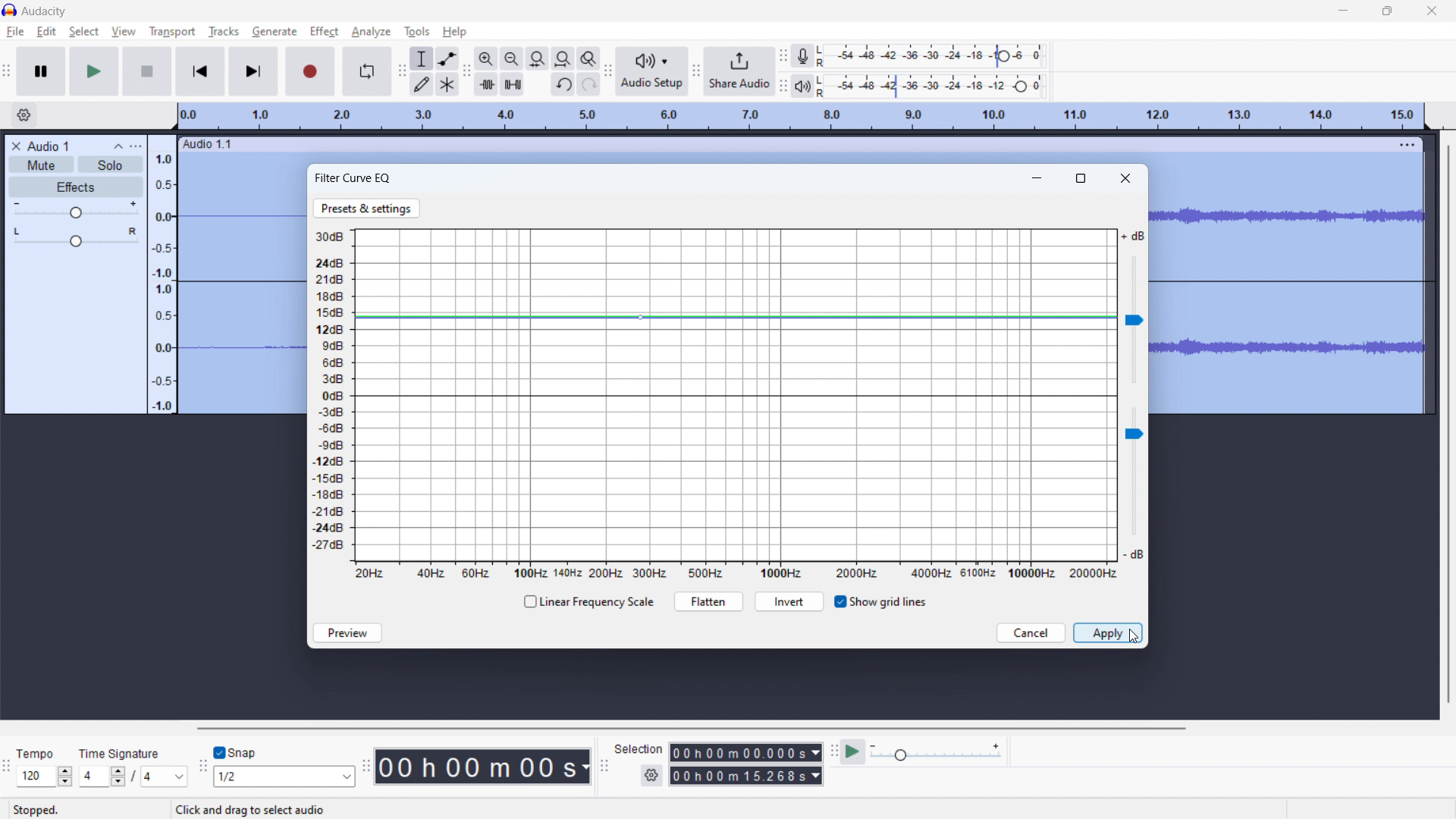 The height and width of the screenshot is (819, 1456). What do you see at coordinates (136, 146) in the screenshot?
I see `view menu` at bounding box center [136, 146].